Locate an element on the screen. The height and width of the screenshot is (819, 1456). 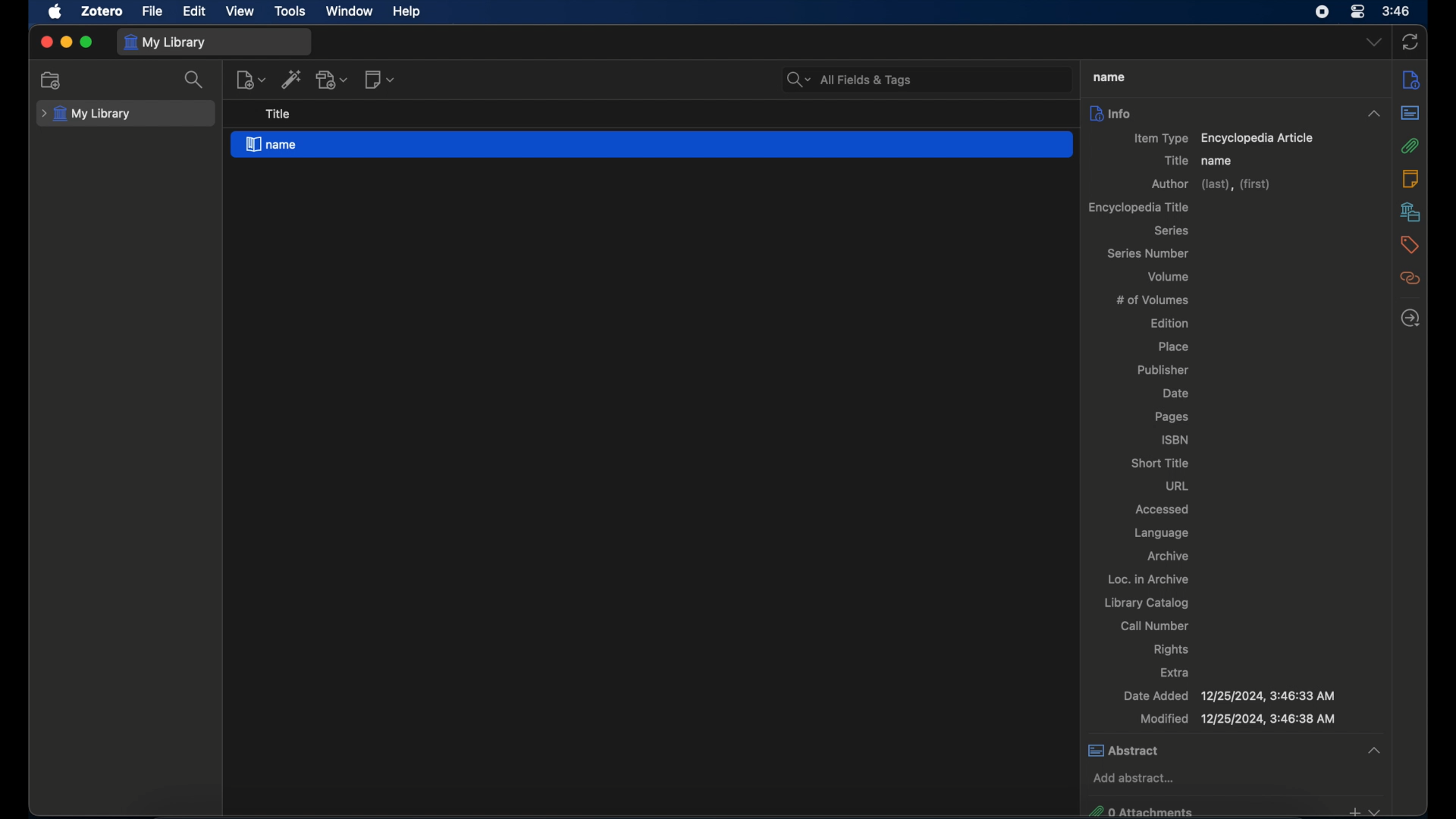
new item is located at coordinates (251, 79).